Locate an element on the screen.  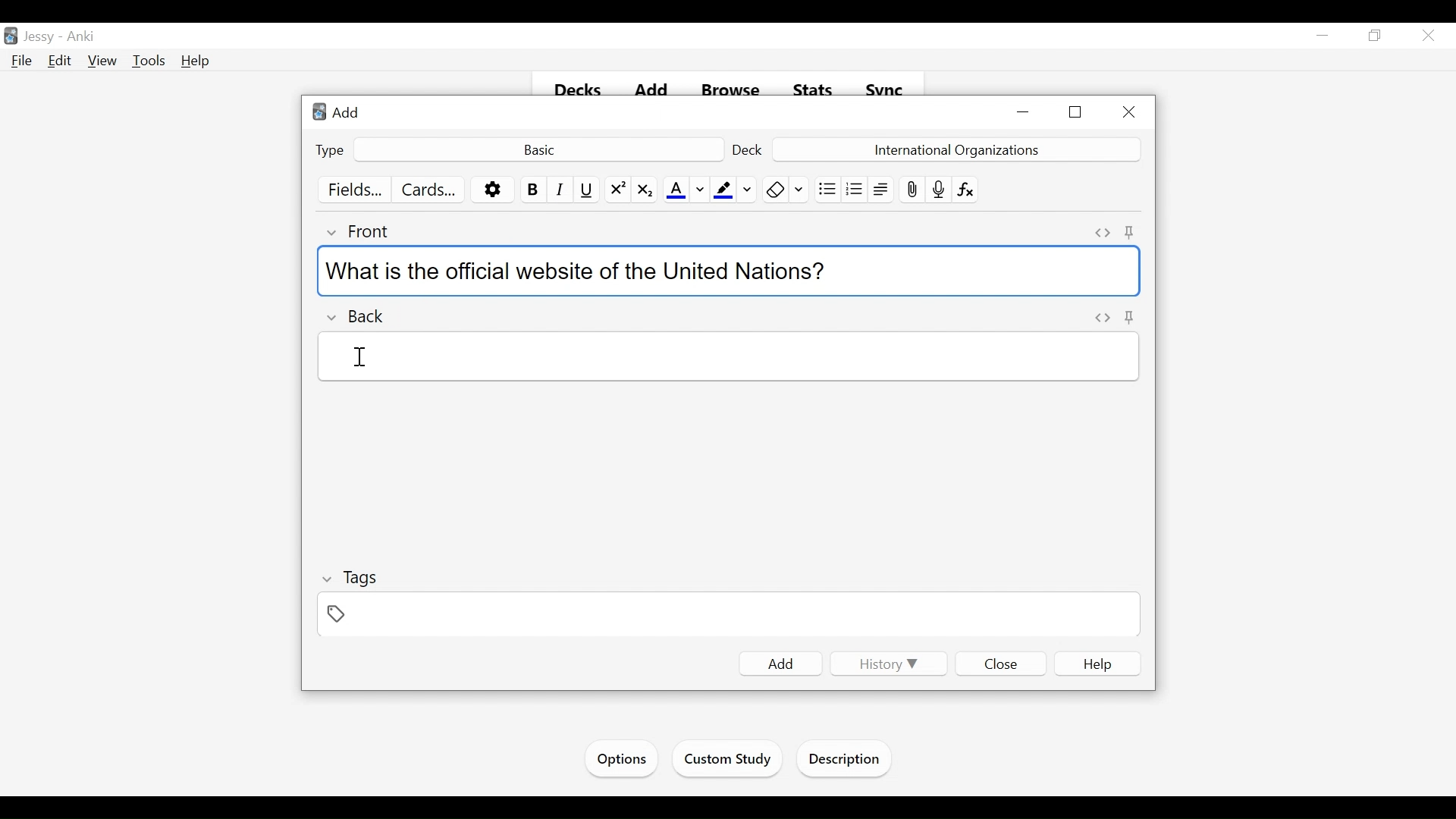
Cards is located at coordinates (426, 189).